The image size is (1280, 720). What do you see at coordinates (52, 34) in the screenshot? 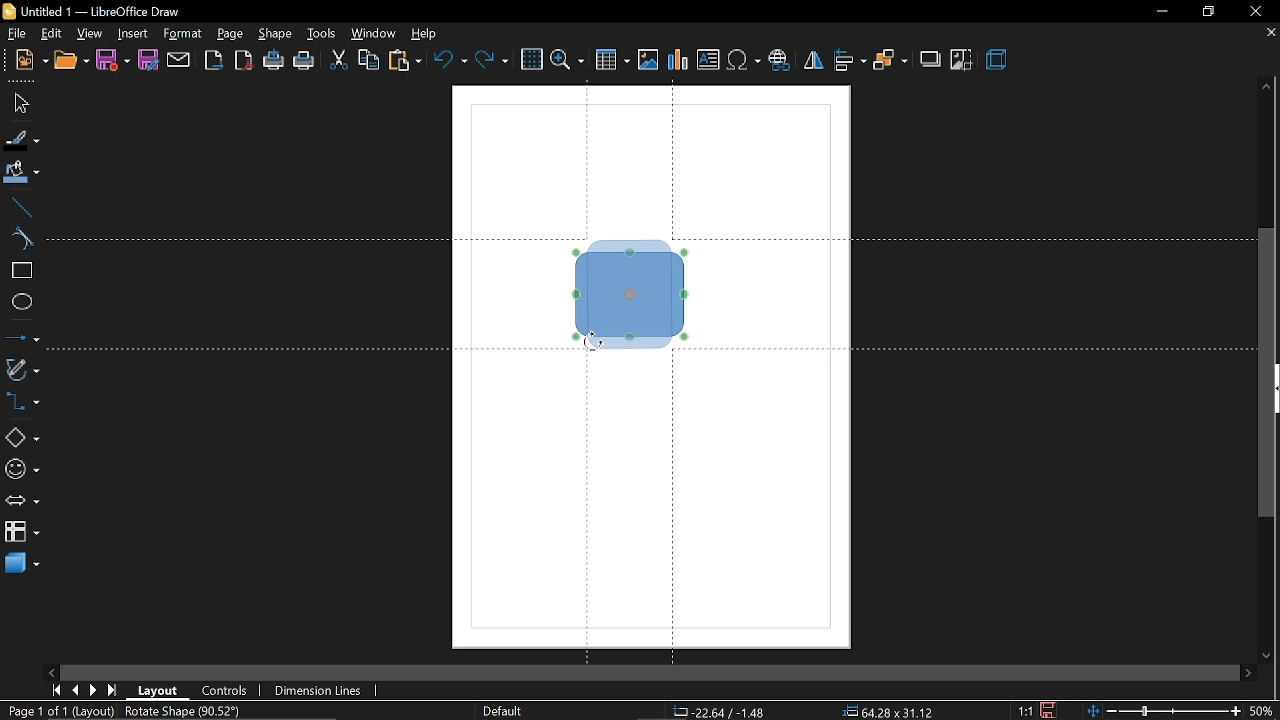
I see `edit` at bounding box center [52, 34].